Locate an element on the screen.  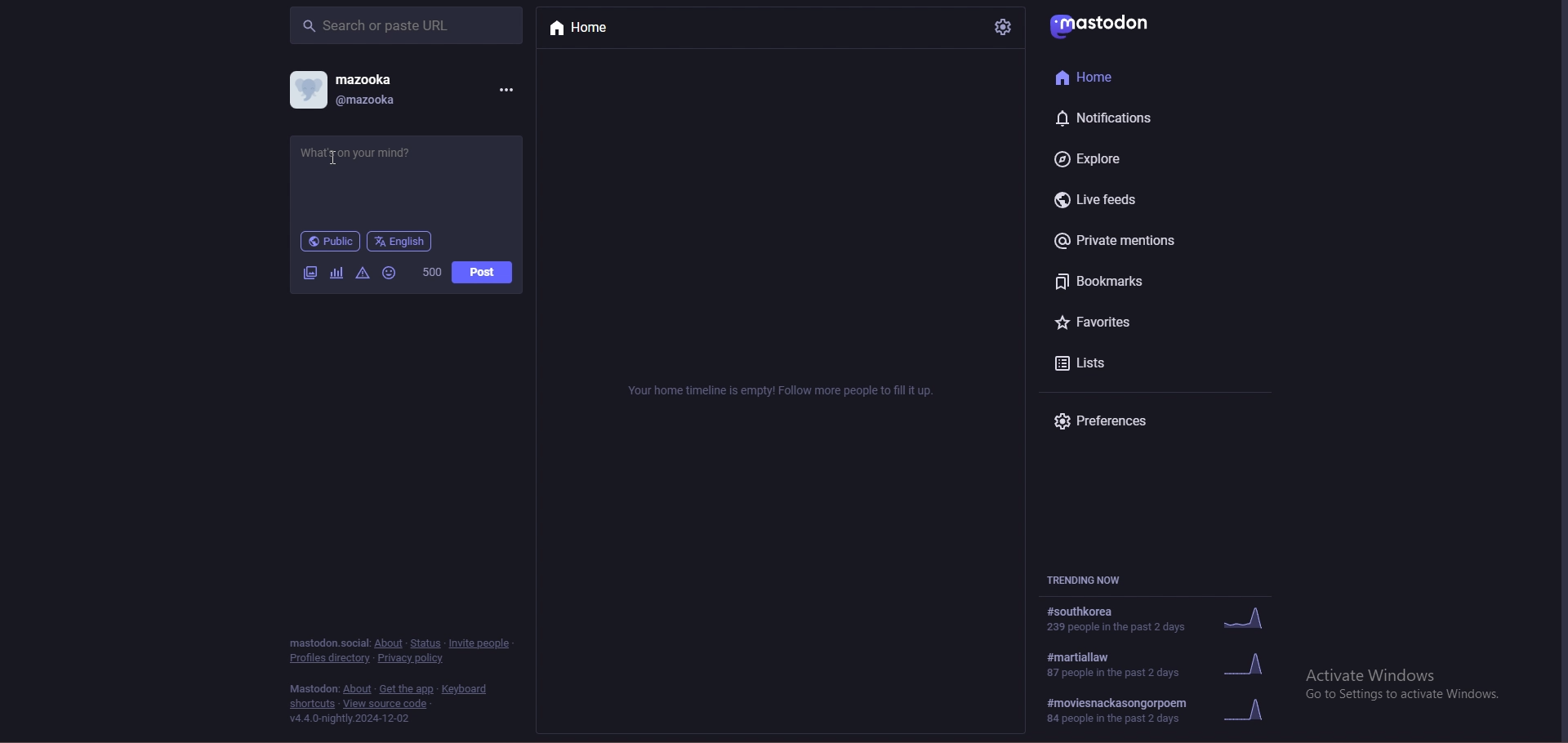
v4.4.0-nightly.2024-12-02 is located at coordinates (350, 719).